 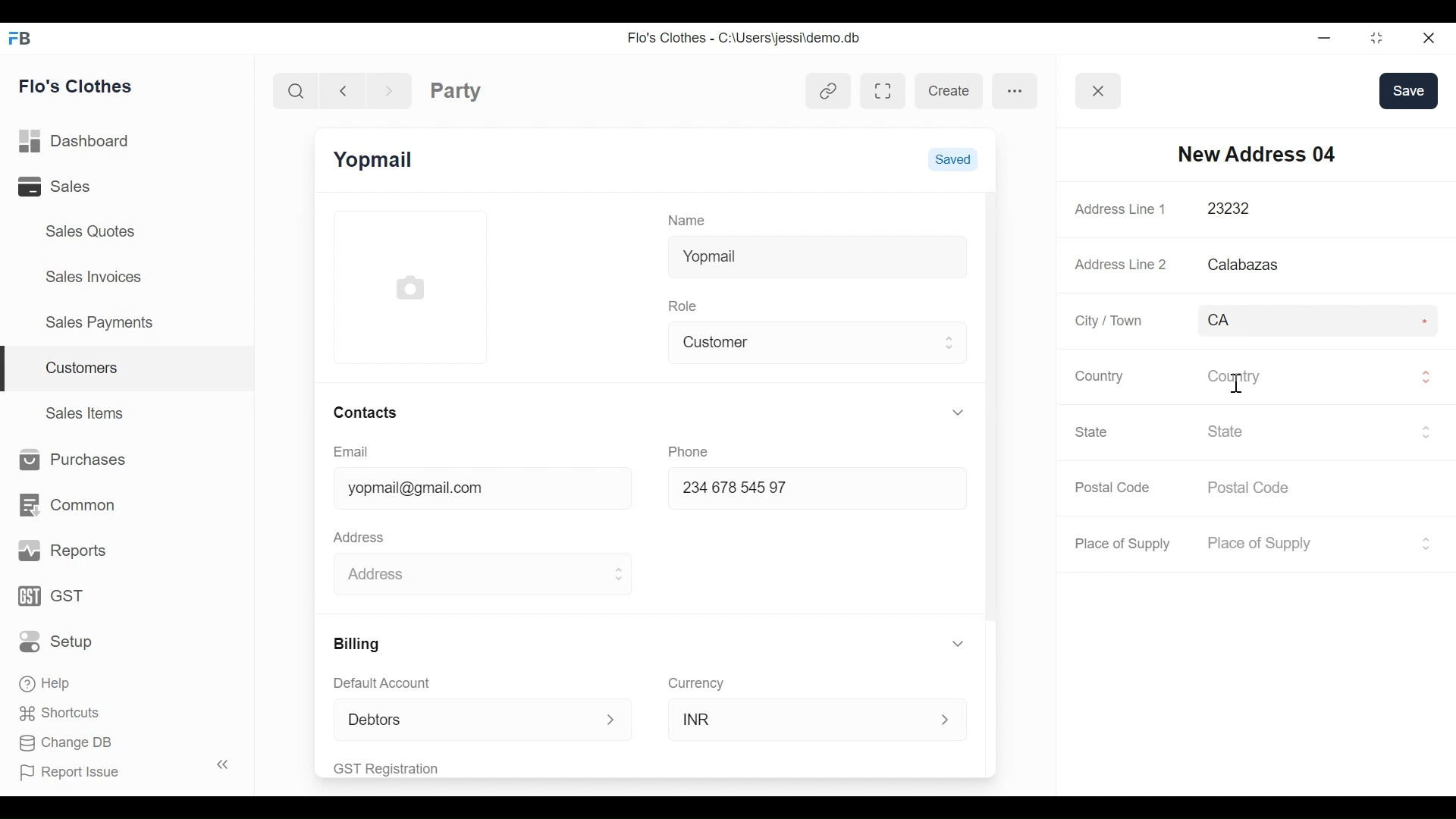 I want to click on Postal Code, so click(x=1258, y=488).